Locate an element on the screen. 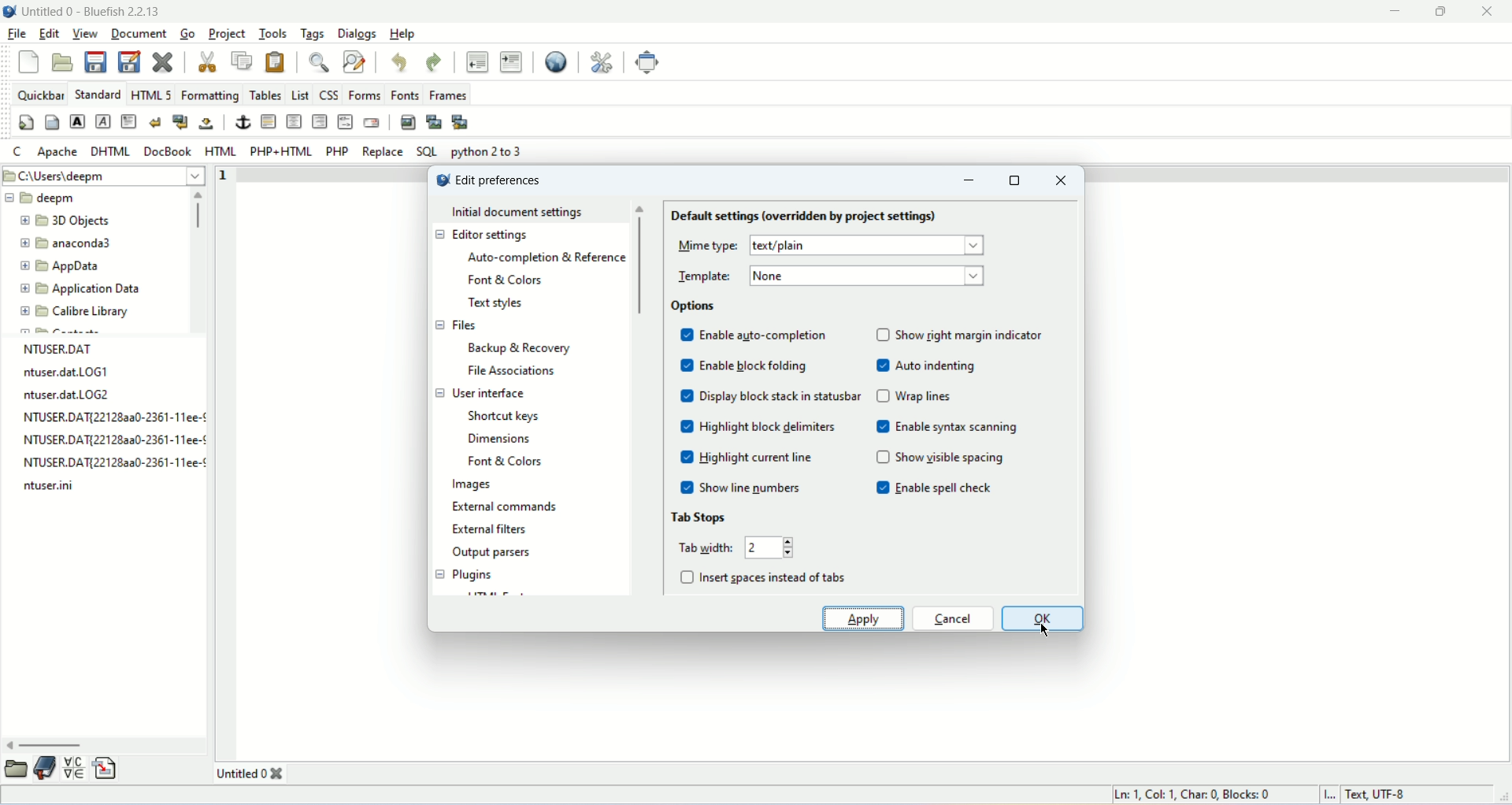  insert image is located at coordinates (407, 121).